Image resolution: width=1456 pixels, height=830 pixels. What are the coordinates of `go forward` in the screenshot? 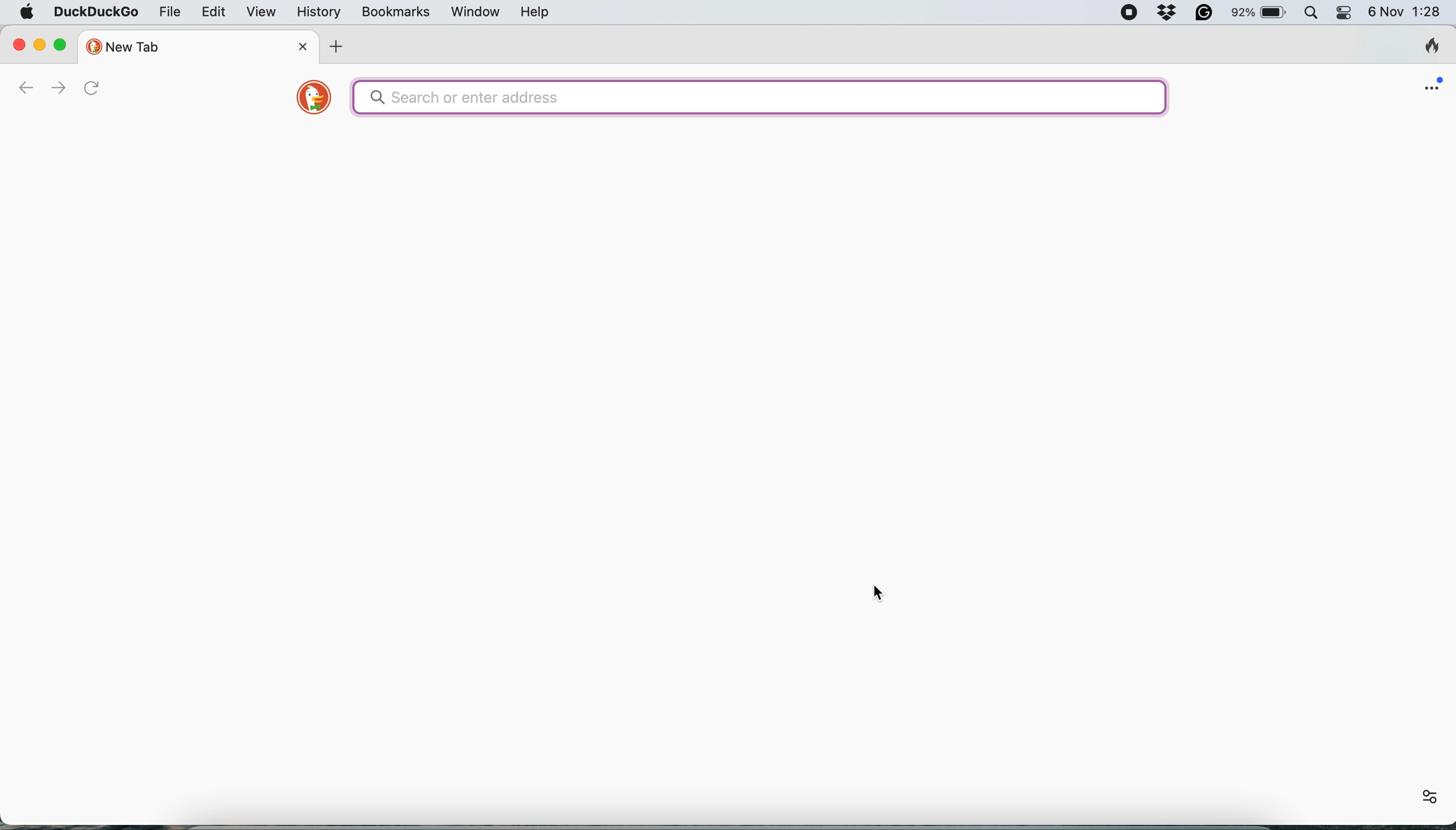 It's located at (58, 88).